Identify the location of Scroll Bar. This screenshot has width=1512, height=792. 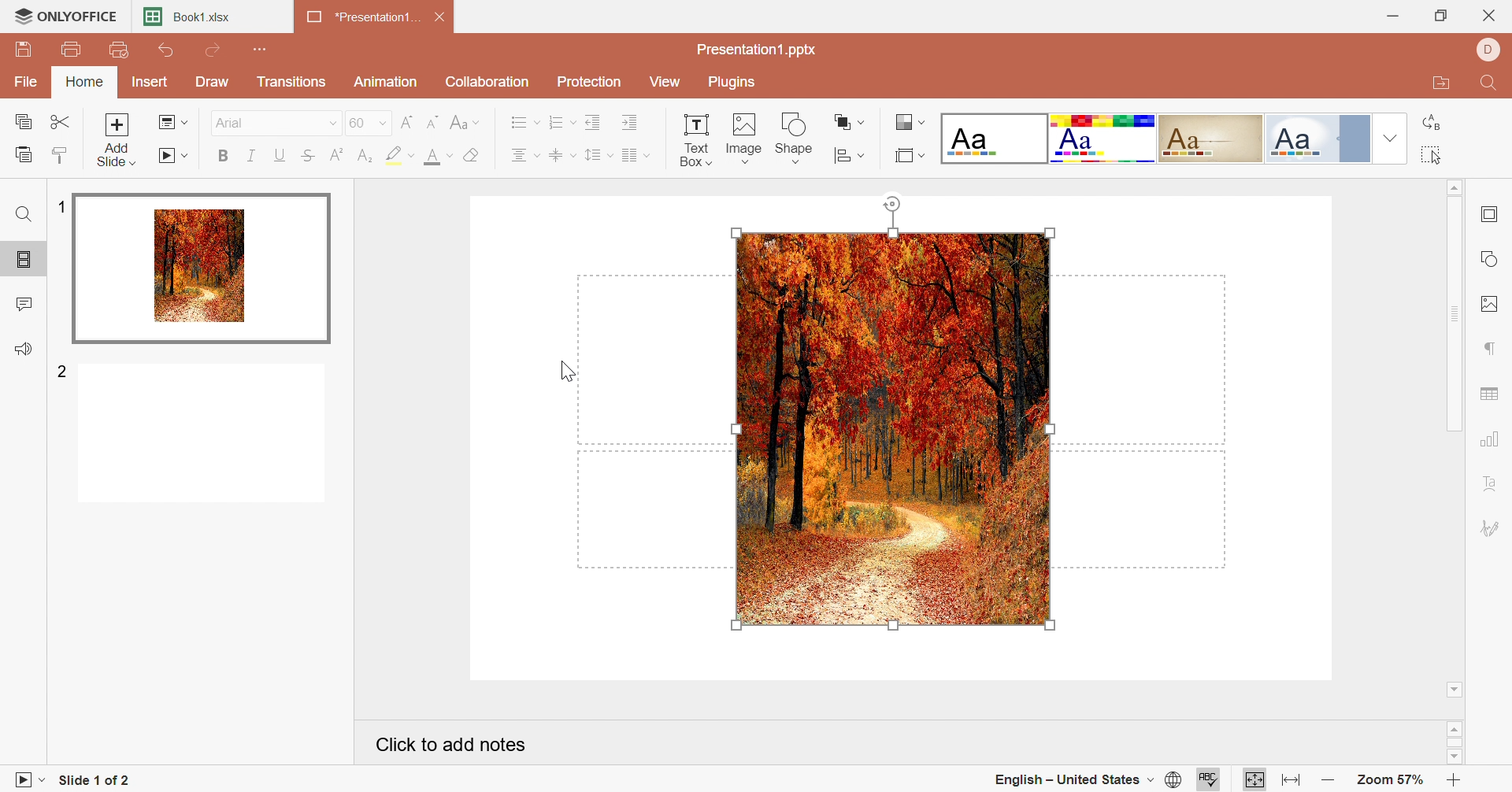
(1455, 313).